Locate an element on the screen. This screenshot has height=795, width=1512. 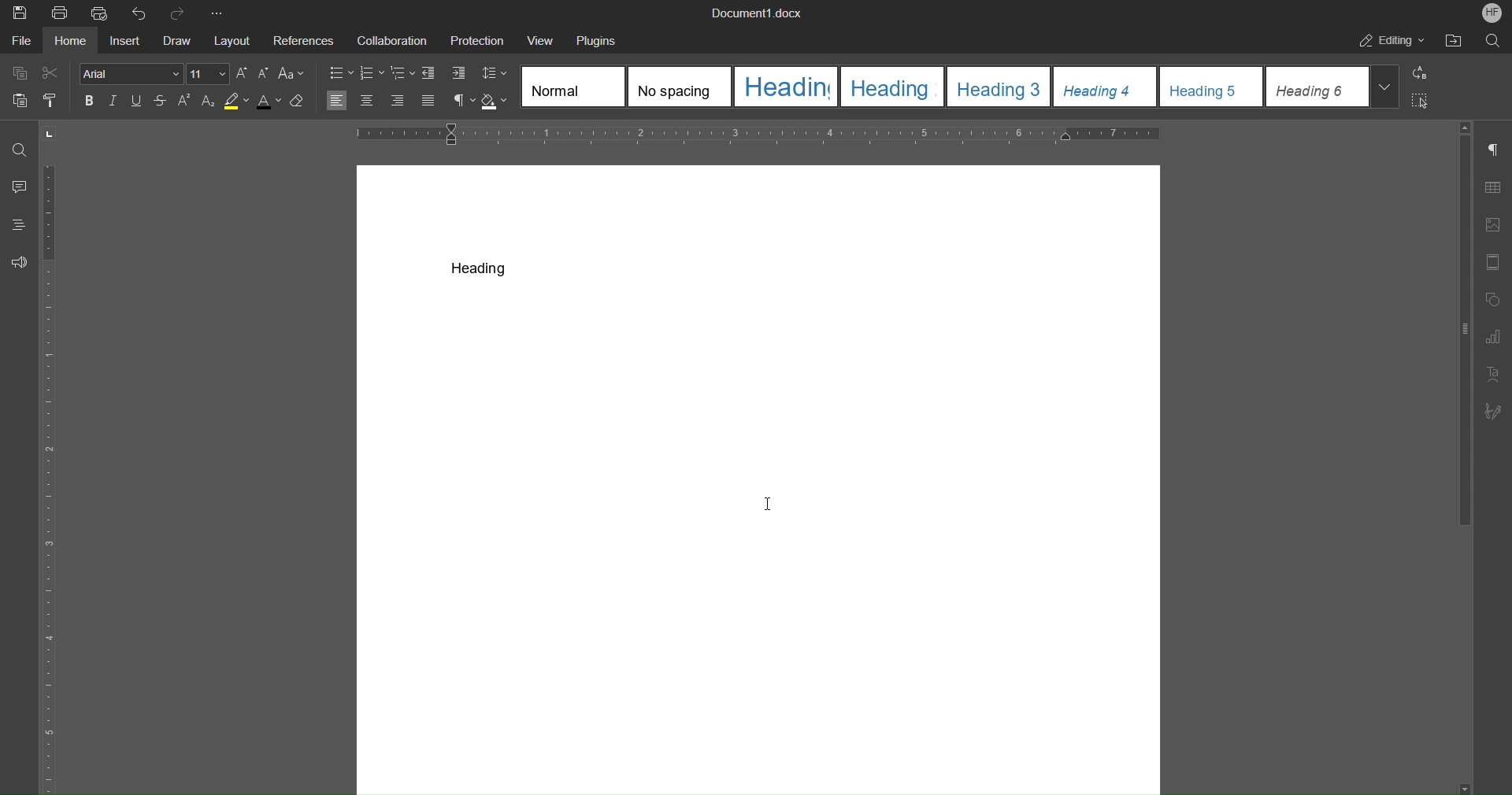
Editing is located at coordinates (1388, 40).